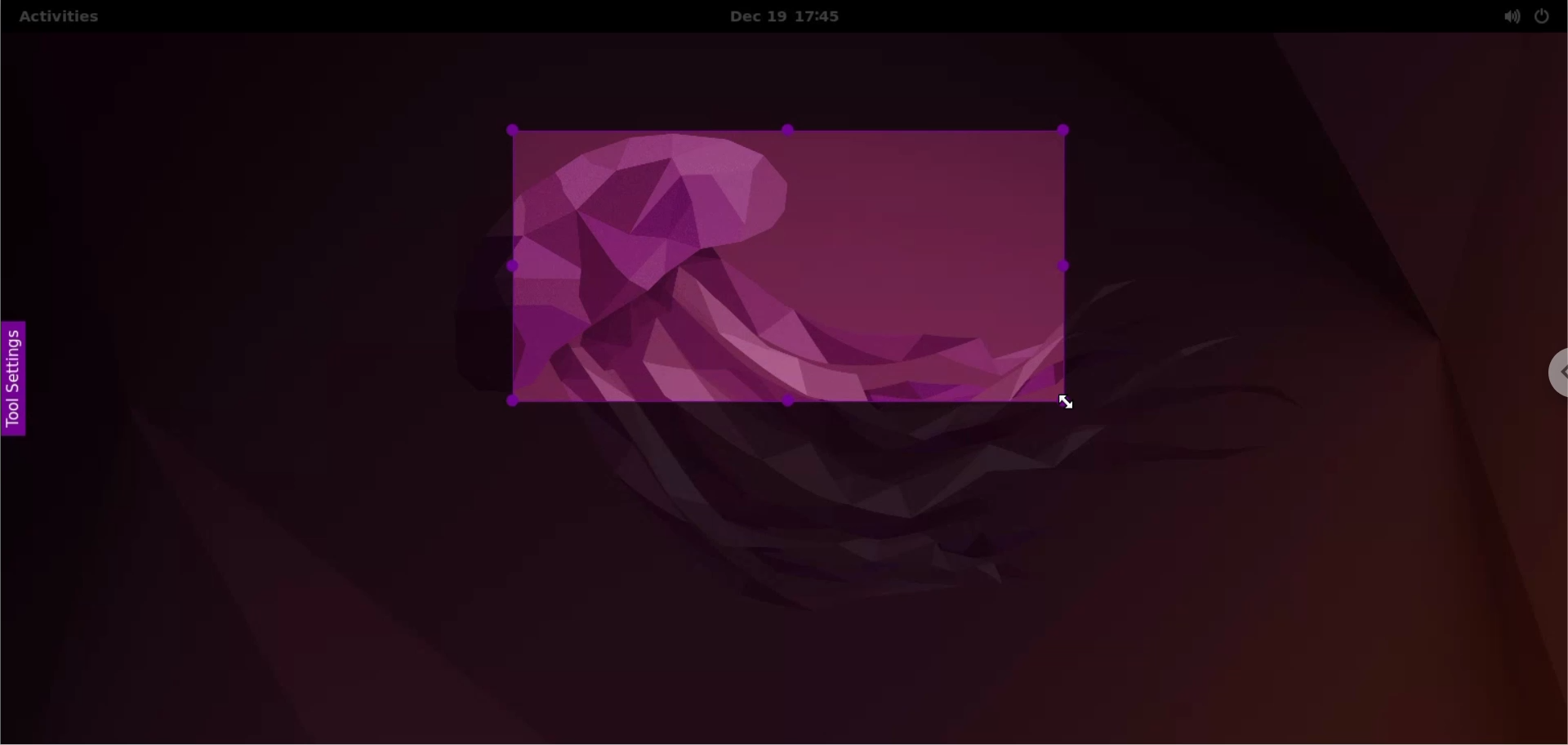 This screenshot has width=1568, height=745. Describe the element at coordinates (1071, 404) in the screenshot. I see `cursor` at that location.